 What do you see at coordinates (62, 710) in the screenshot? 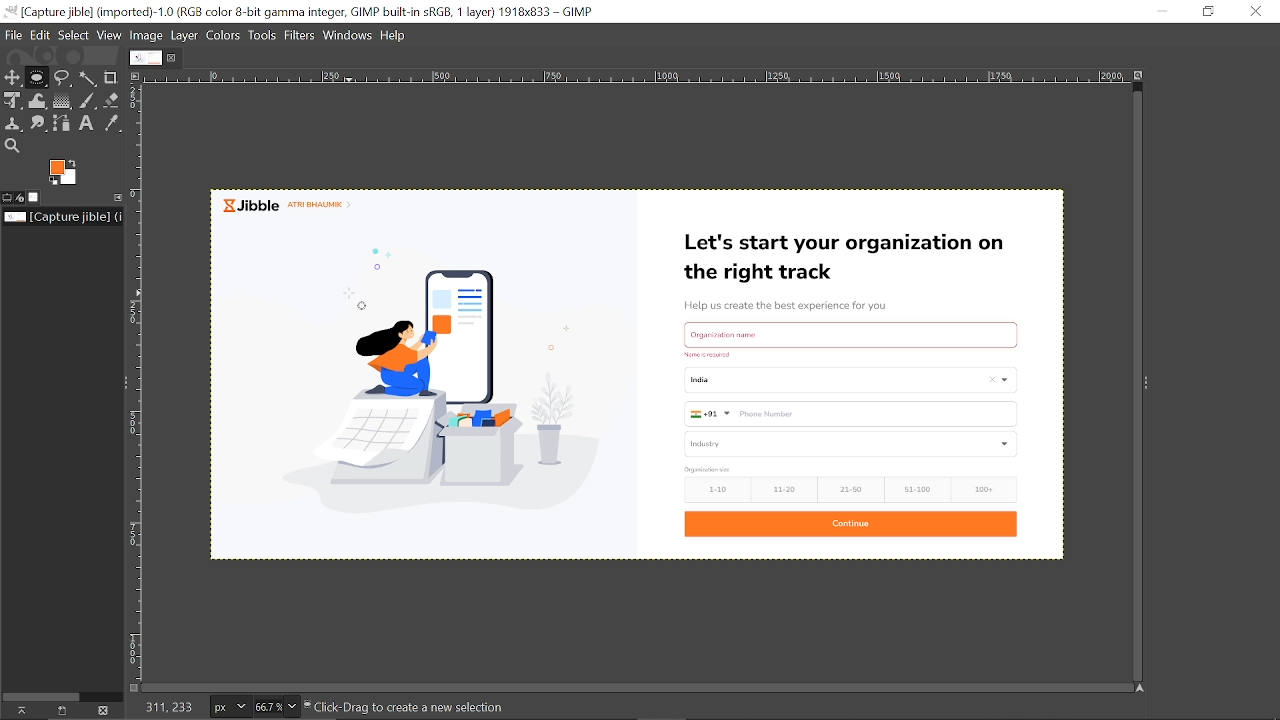
I see `Create a new display for this image` at bounding box center [62, 710].